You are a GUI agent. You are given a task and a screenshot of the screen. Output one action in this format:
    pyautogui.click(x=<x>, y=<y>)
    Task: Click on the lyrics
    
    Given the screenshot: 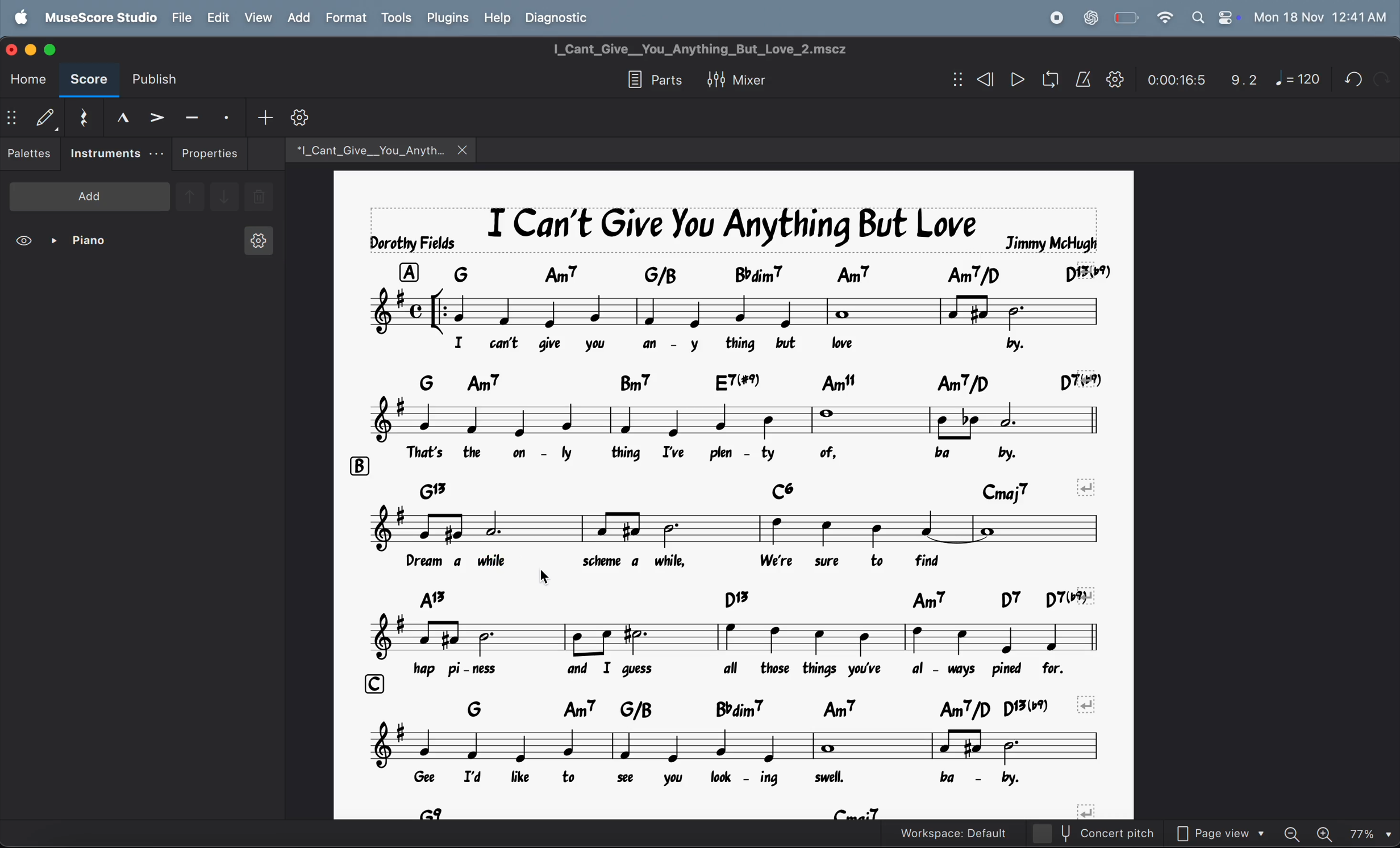 What is the action you would take?
    pyautogui.click(x=766, y=673)
    